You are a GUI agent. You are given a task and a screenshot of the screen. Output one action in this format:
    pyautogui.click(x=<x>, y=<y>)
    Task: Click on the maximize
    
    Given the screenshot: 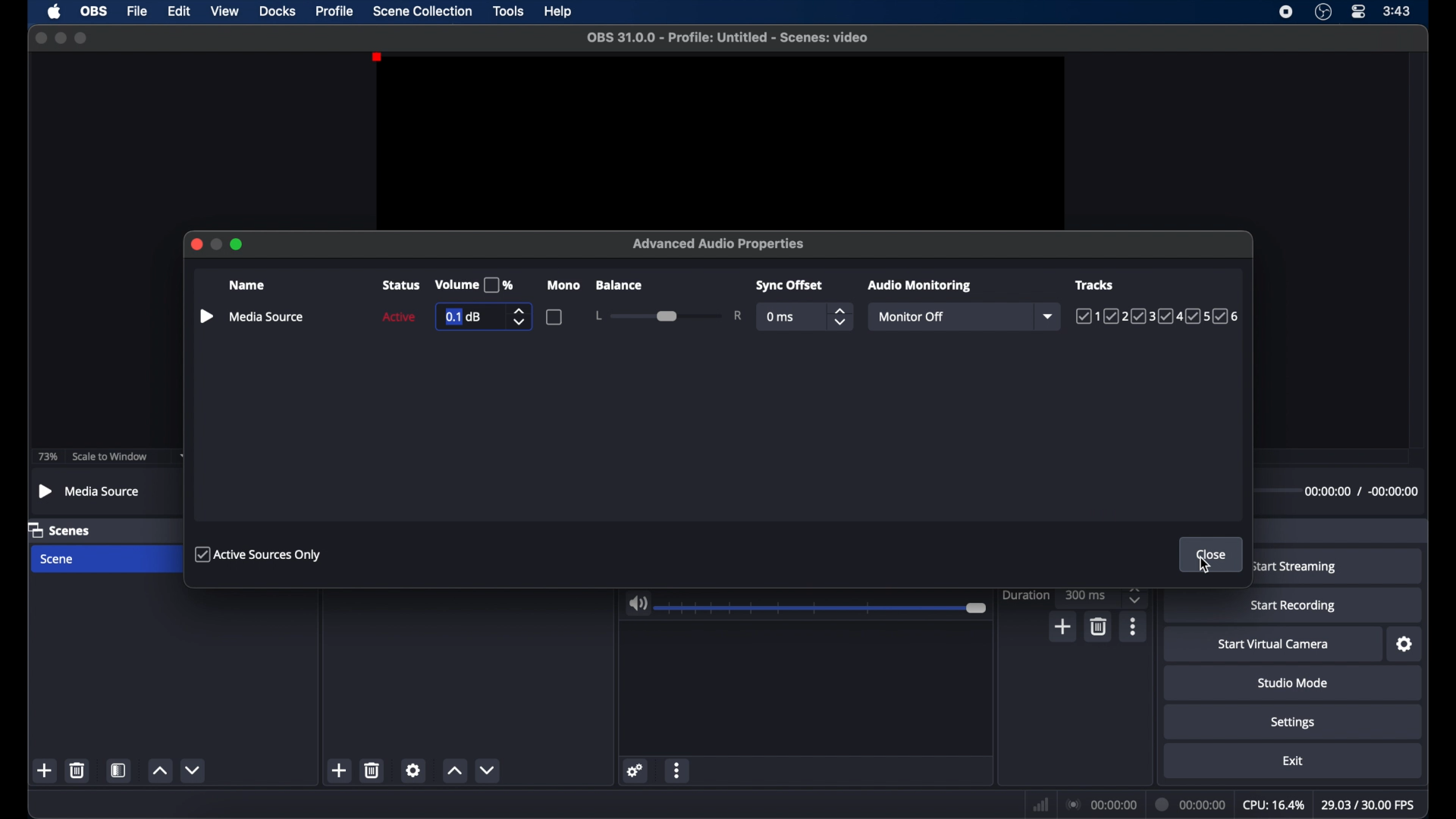 What is the action you would take?
    pyautogui.click(x=83, y=38)
    